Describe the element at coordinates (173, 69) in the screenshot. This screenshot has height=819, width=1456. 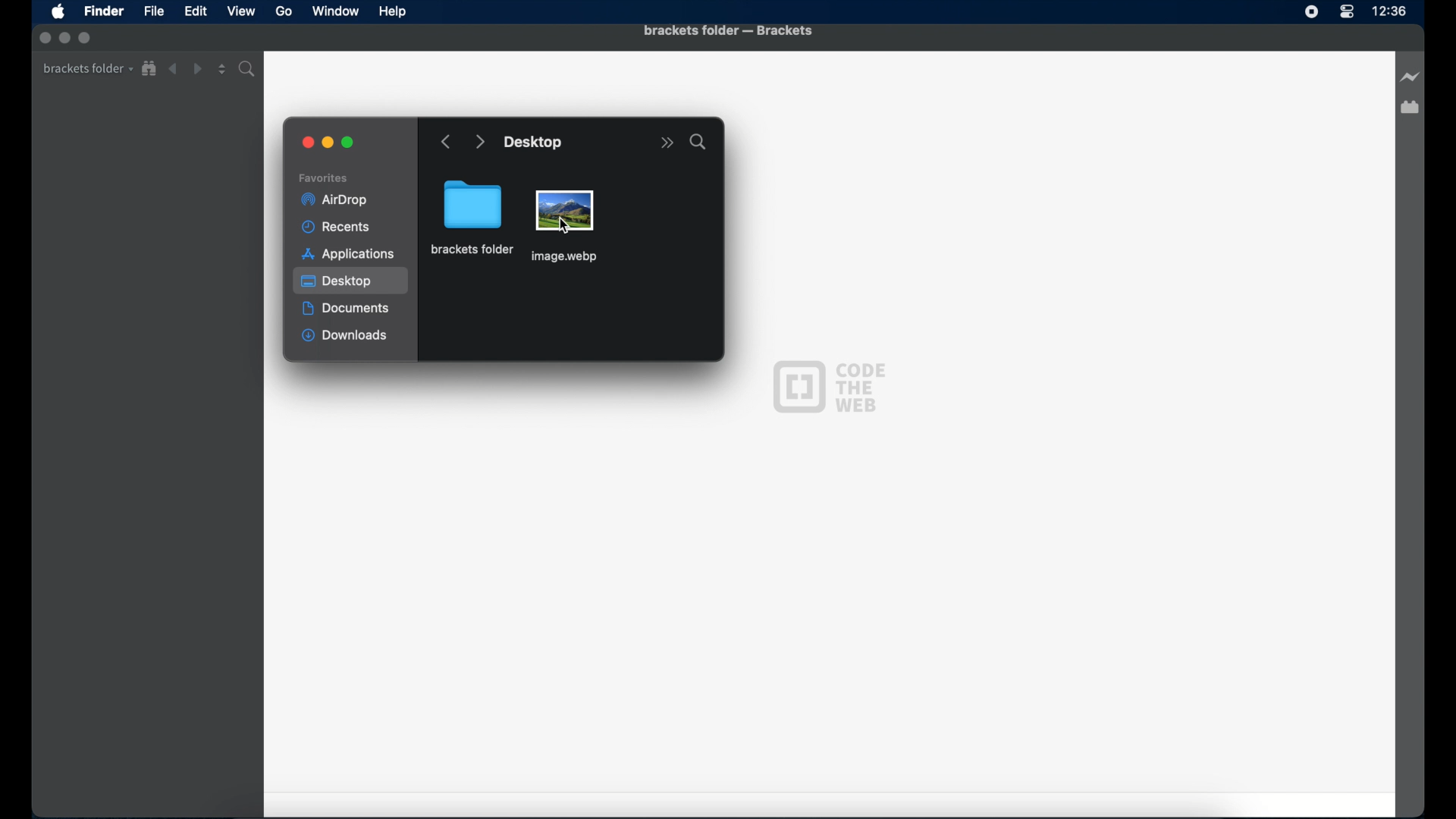
I see `back` at that location.